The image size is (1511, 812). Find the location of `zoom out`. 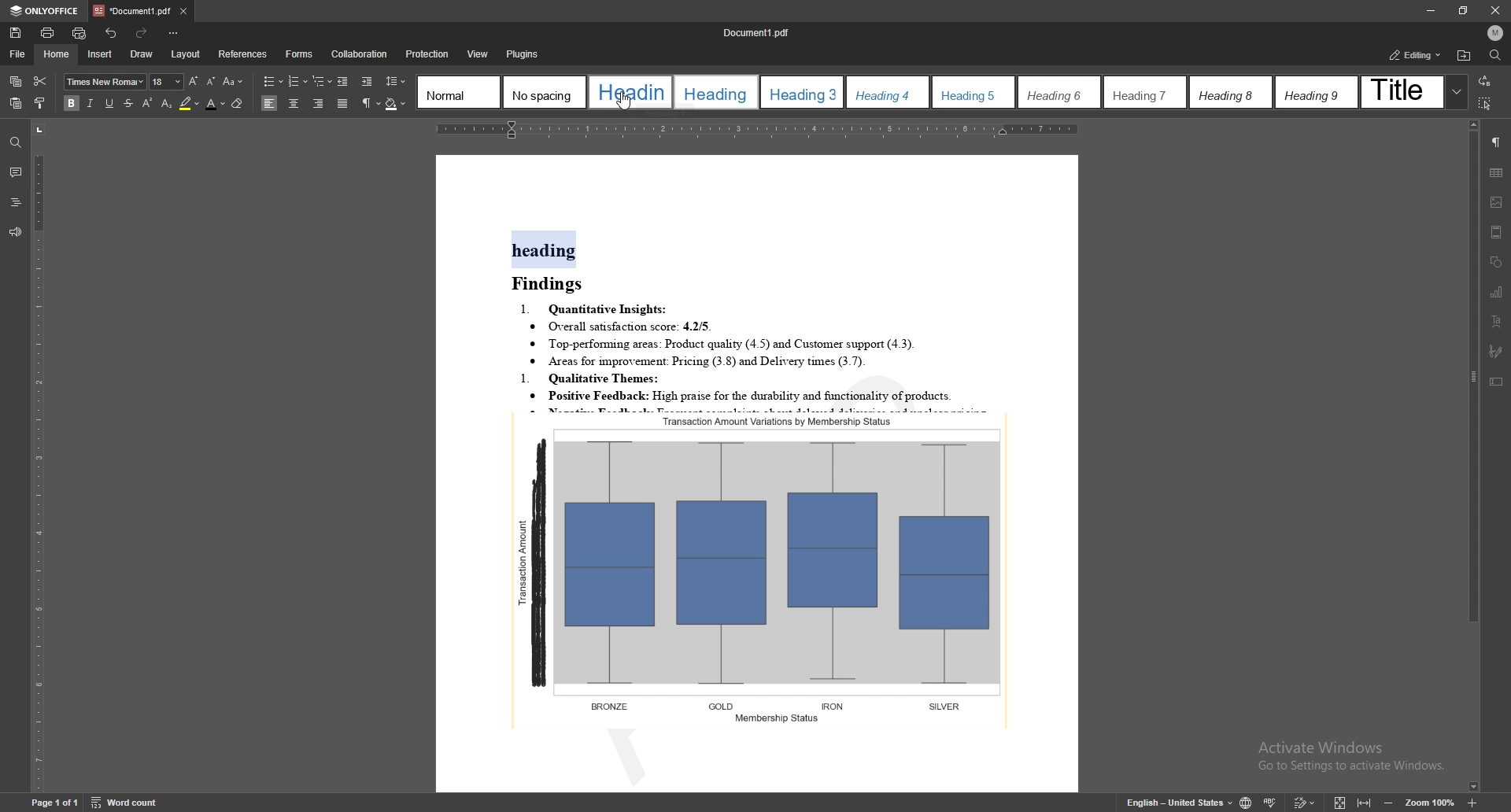

zoom out is located at coordinates (1391, 803).